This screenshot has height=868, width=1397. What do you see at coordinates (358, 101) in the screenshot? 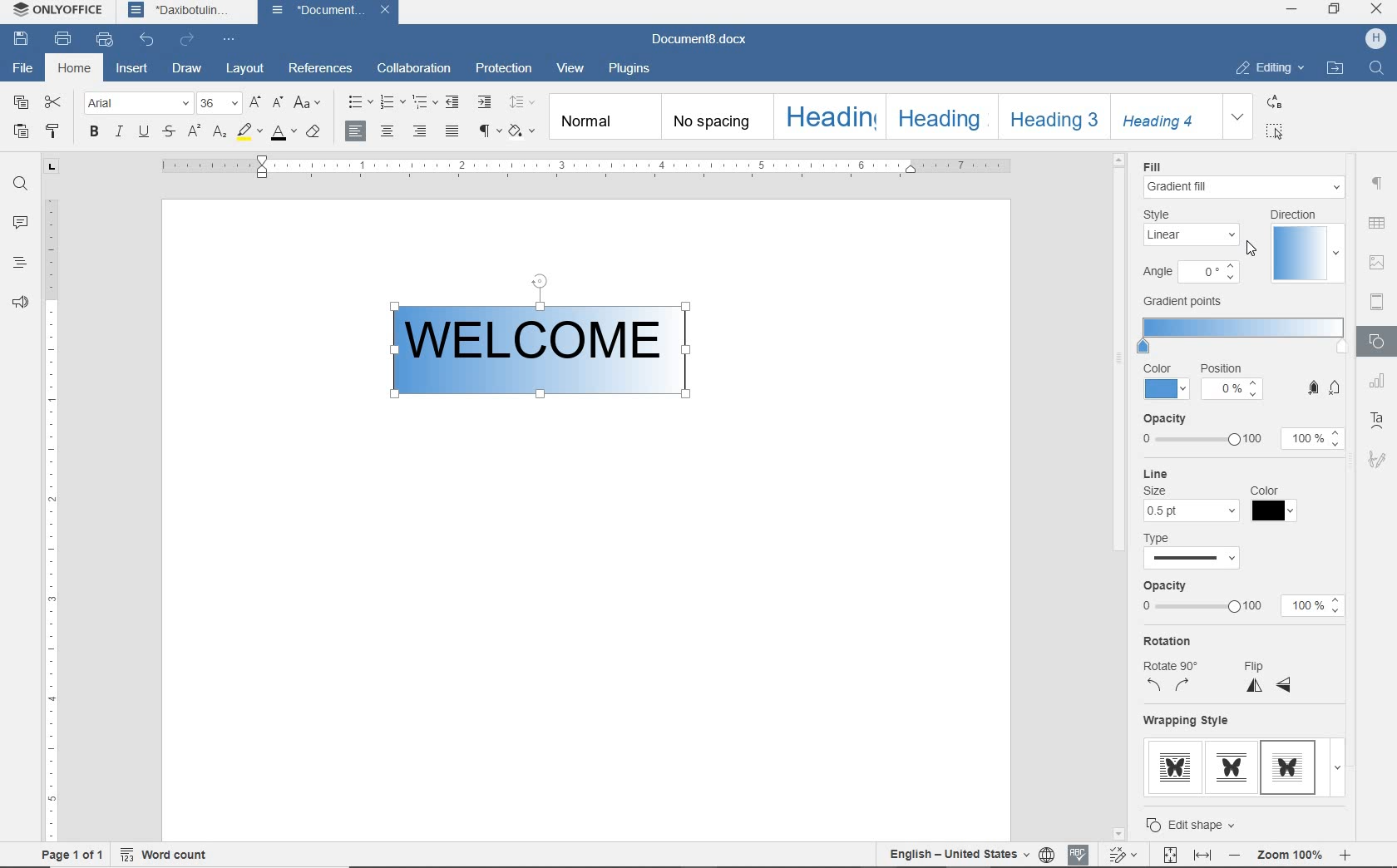
I see `BULLETS` at bounding box center [358, 101].